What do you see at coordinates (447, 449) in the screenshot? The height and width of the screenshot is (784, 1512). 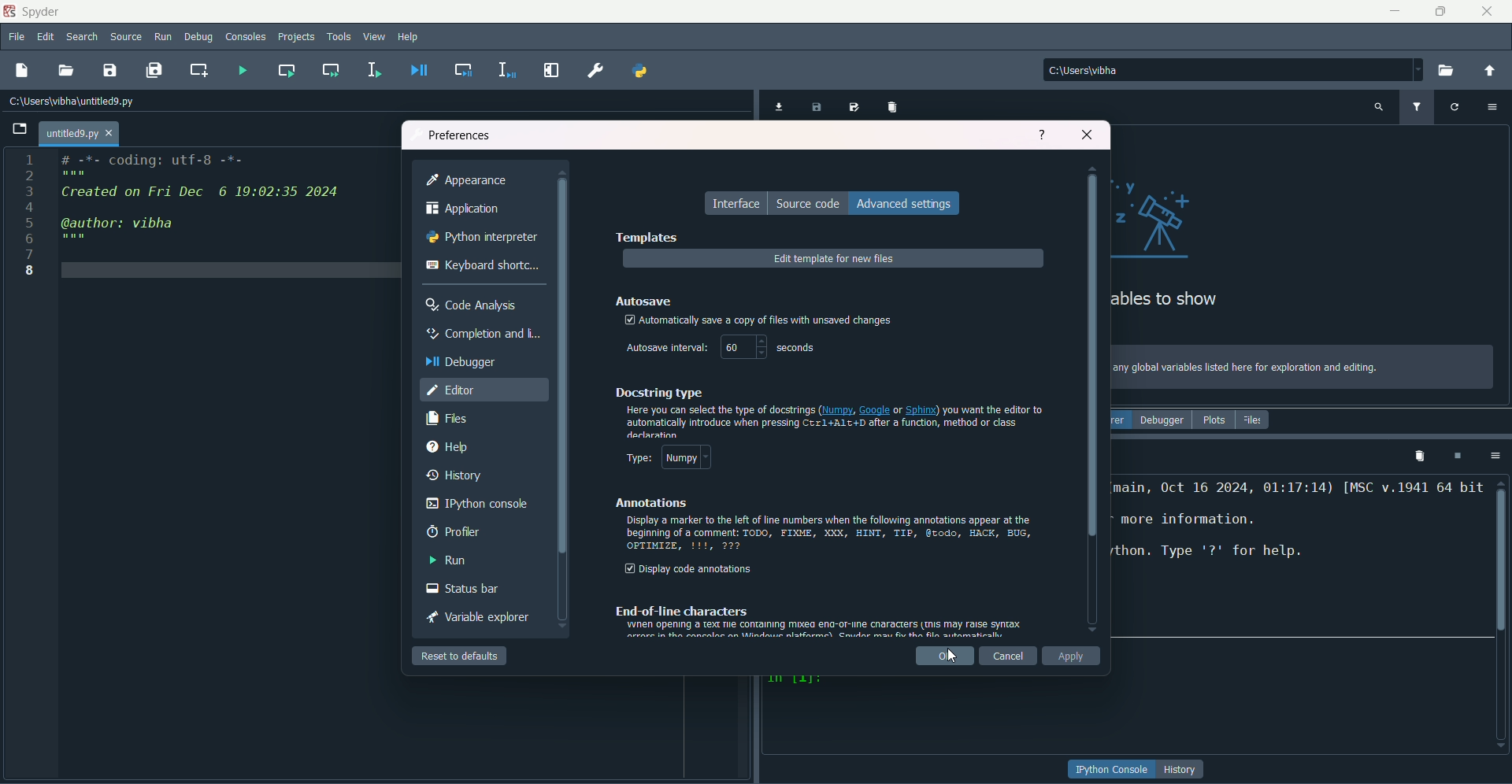 I see `help` at bounding box center [447, 449].